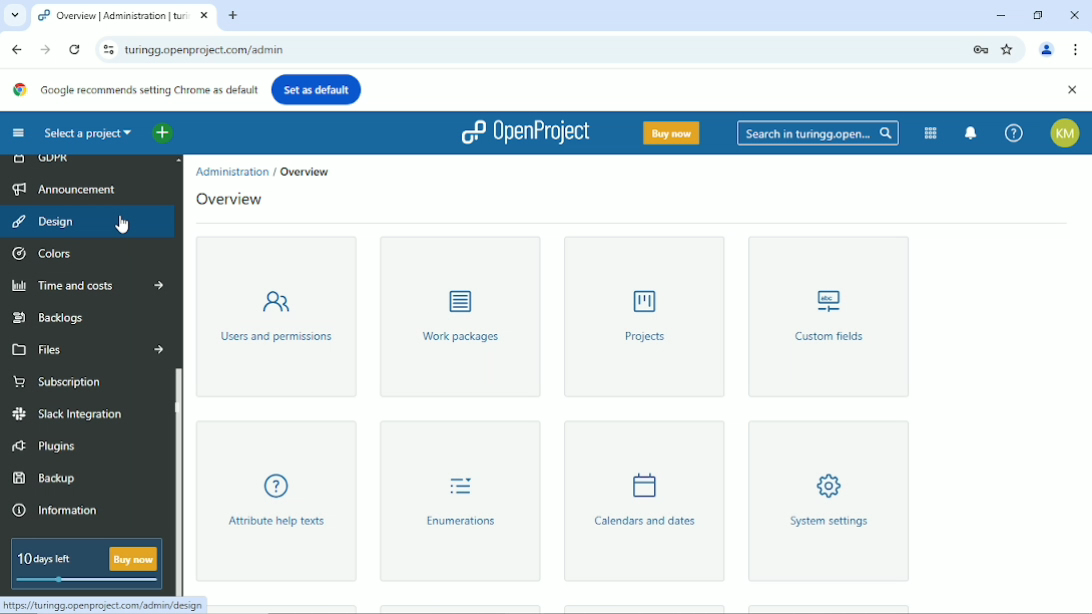  Describe the element at coordinates (43, 446) in the screenshot. I see `Plugins` at that location.